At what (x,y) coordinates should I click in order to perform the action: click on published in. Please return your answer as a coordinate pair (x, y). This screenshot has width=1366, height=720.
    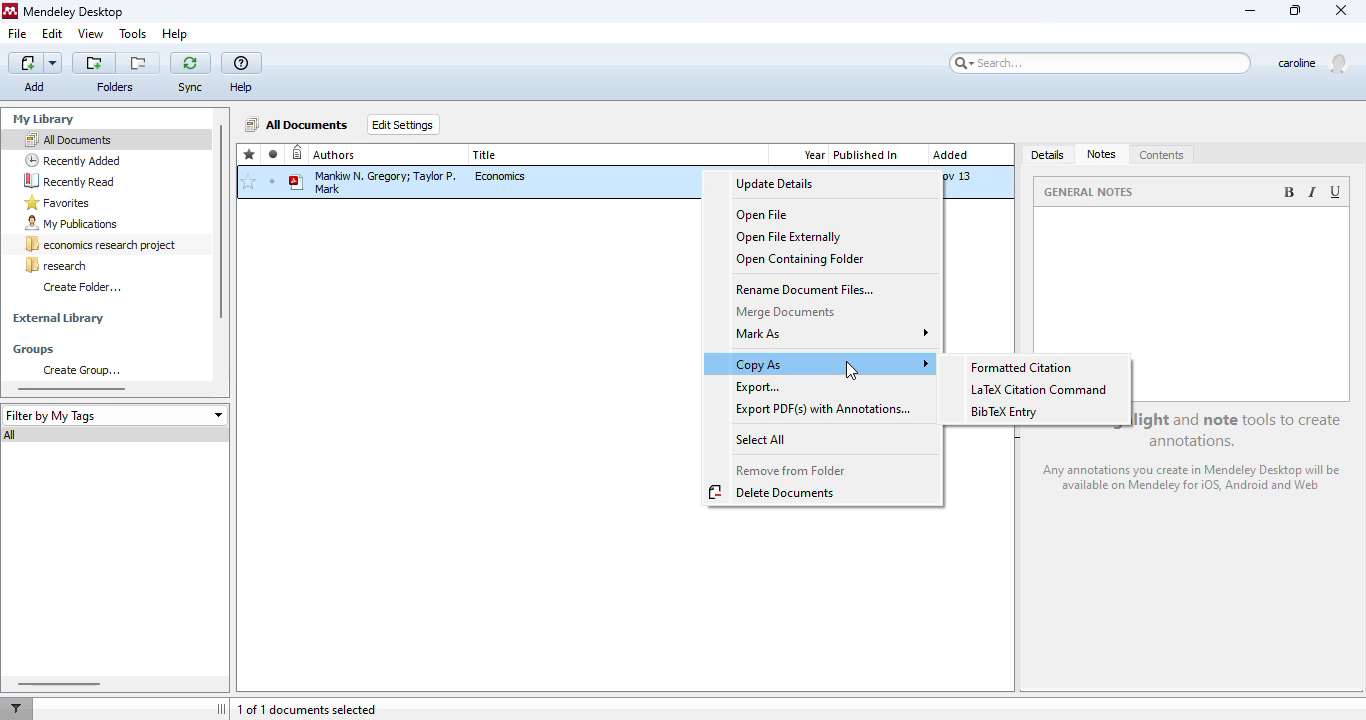
    Looking at the image, I should click on (866, 155).